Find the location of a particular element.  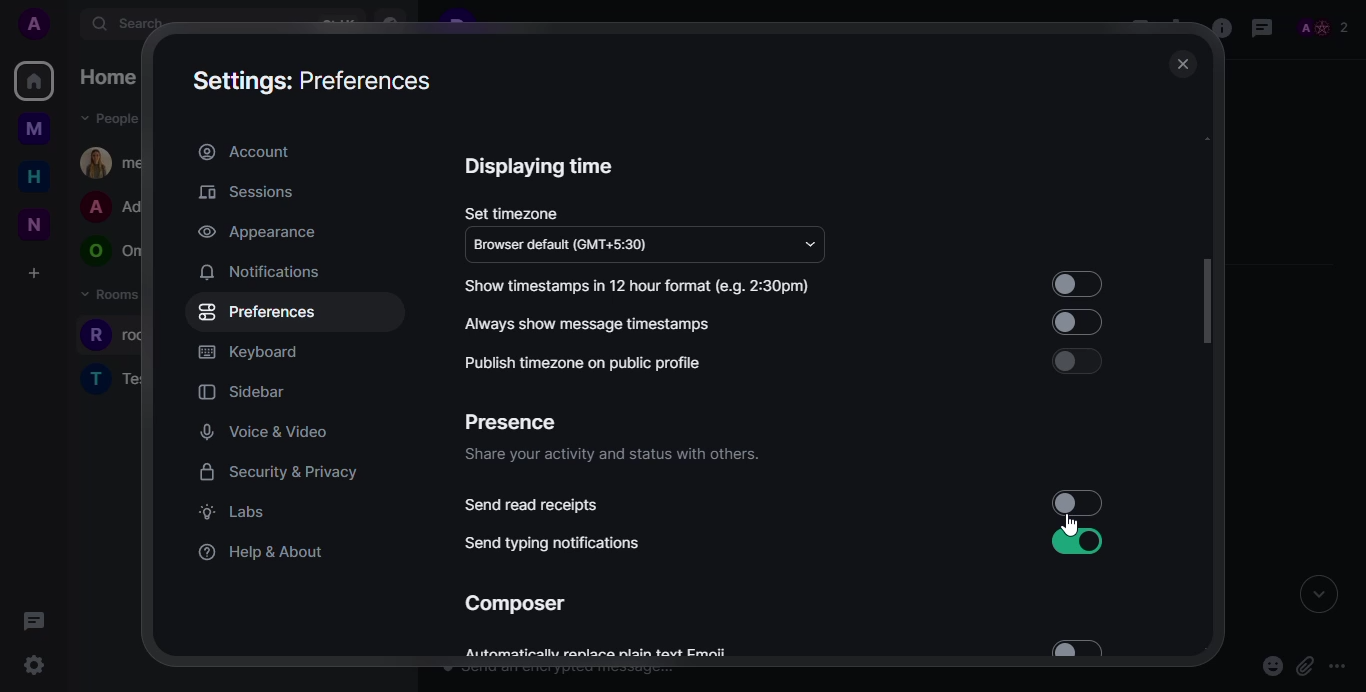

room is located at coordinates (115, 377).